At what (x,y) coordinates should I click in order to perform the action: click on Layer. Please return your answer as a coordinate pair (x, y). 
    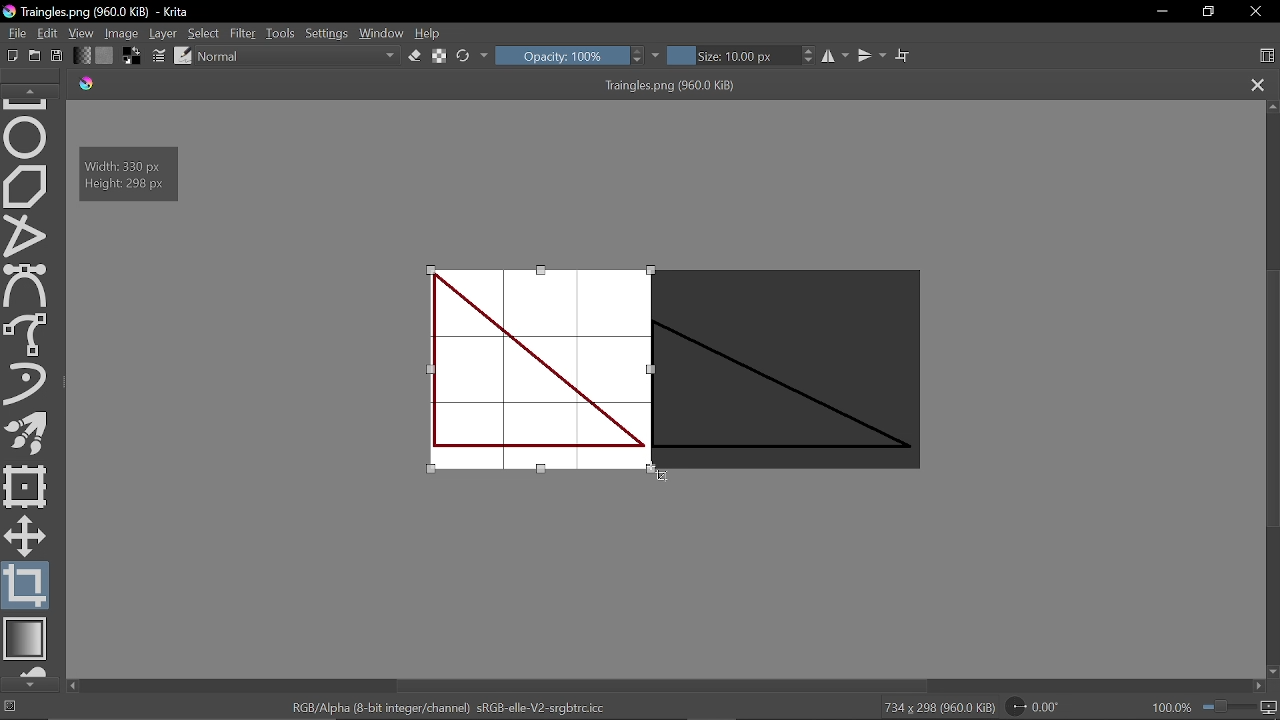
    Looking at the image, I should click on (164, 33).